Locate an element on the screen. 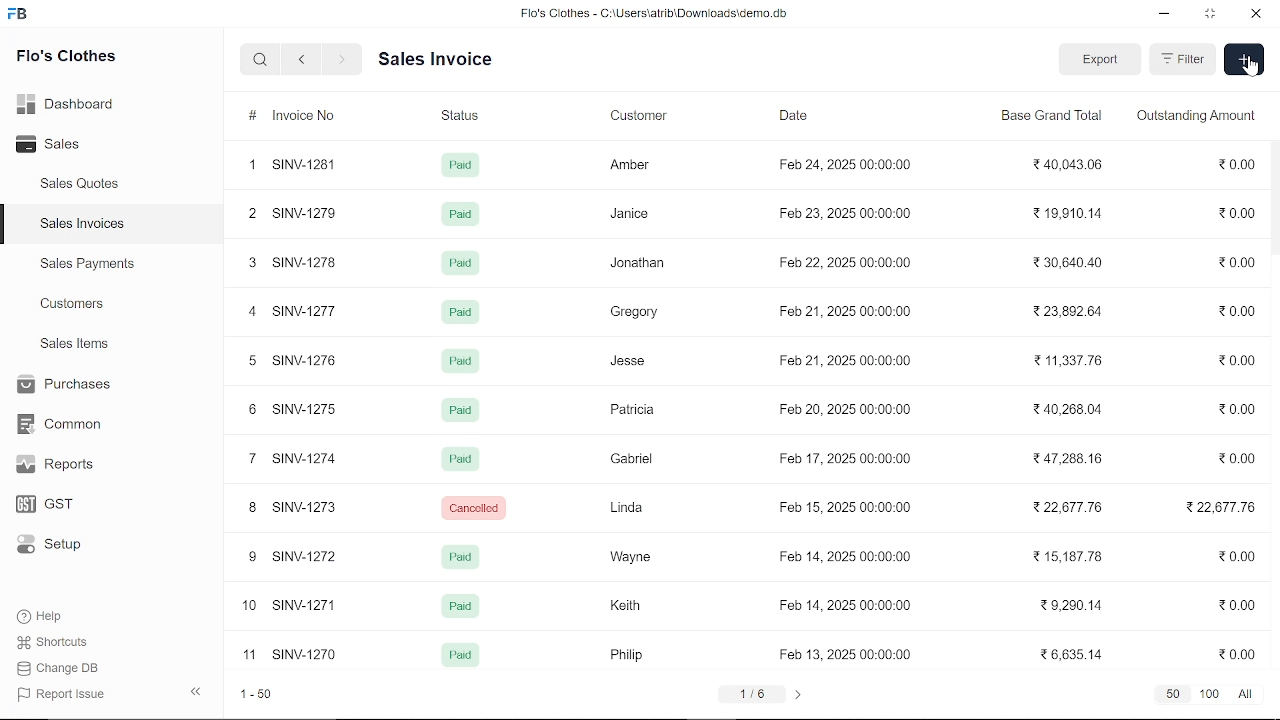 The image size is (1280, 720). Help is located at coordinates (42, 616).